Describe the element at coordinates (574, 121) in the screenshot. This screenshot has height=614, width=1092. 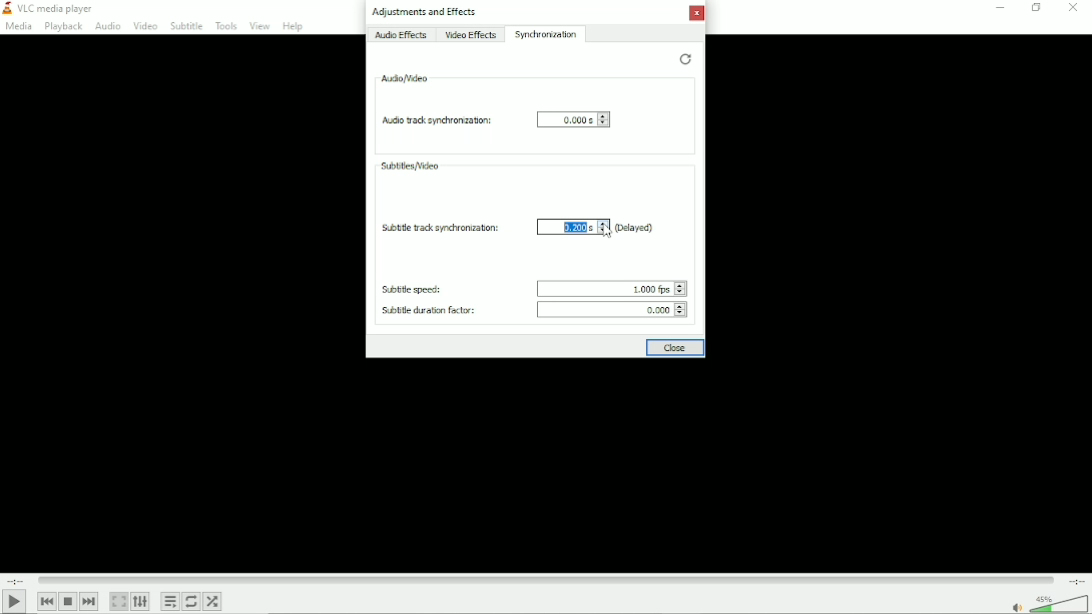
I see `0.000 s` at that location.